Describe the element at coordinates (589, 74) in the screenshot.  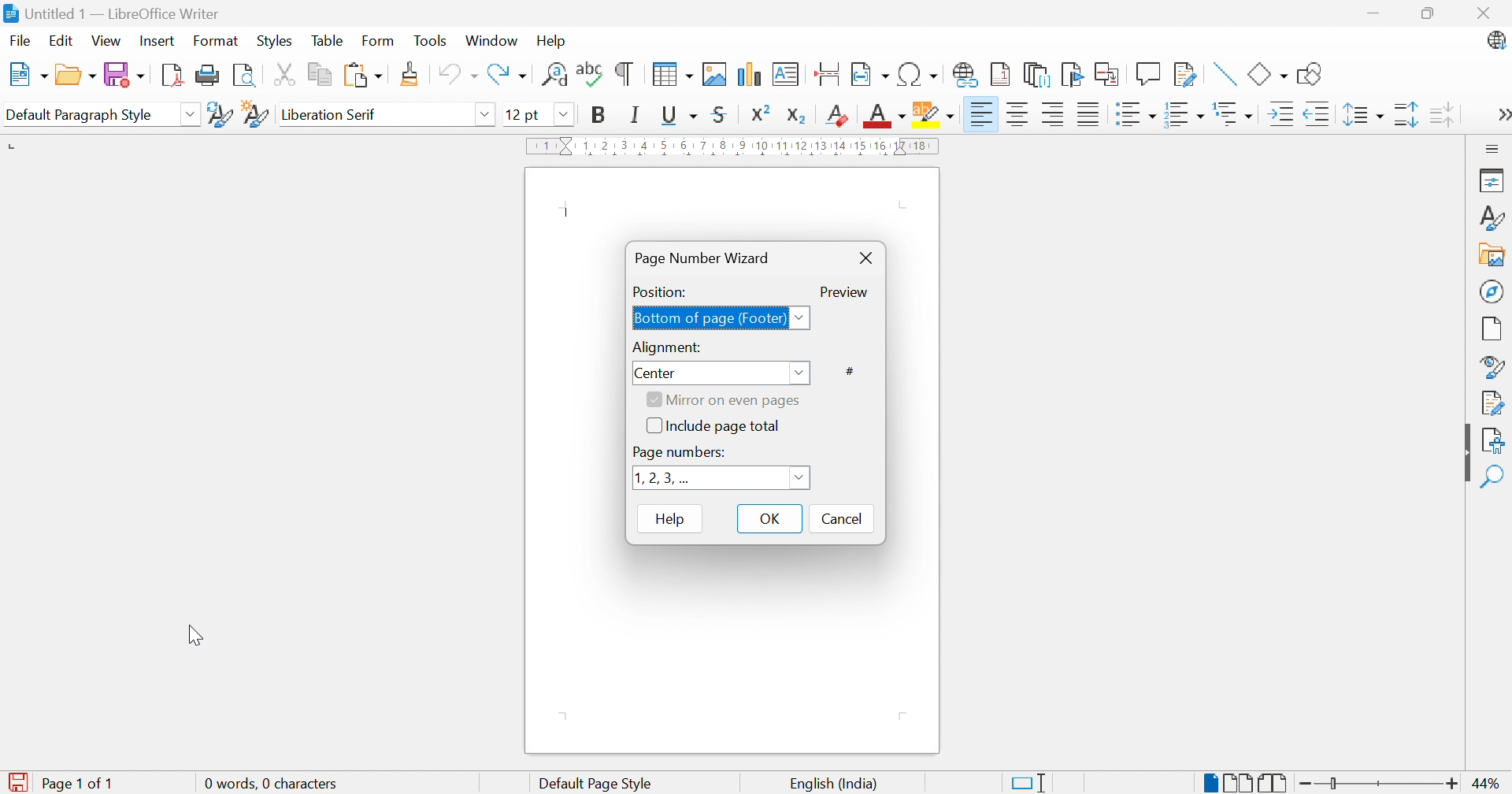
I see `Check spelling` at that location.